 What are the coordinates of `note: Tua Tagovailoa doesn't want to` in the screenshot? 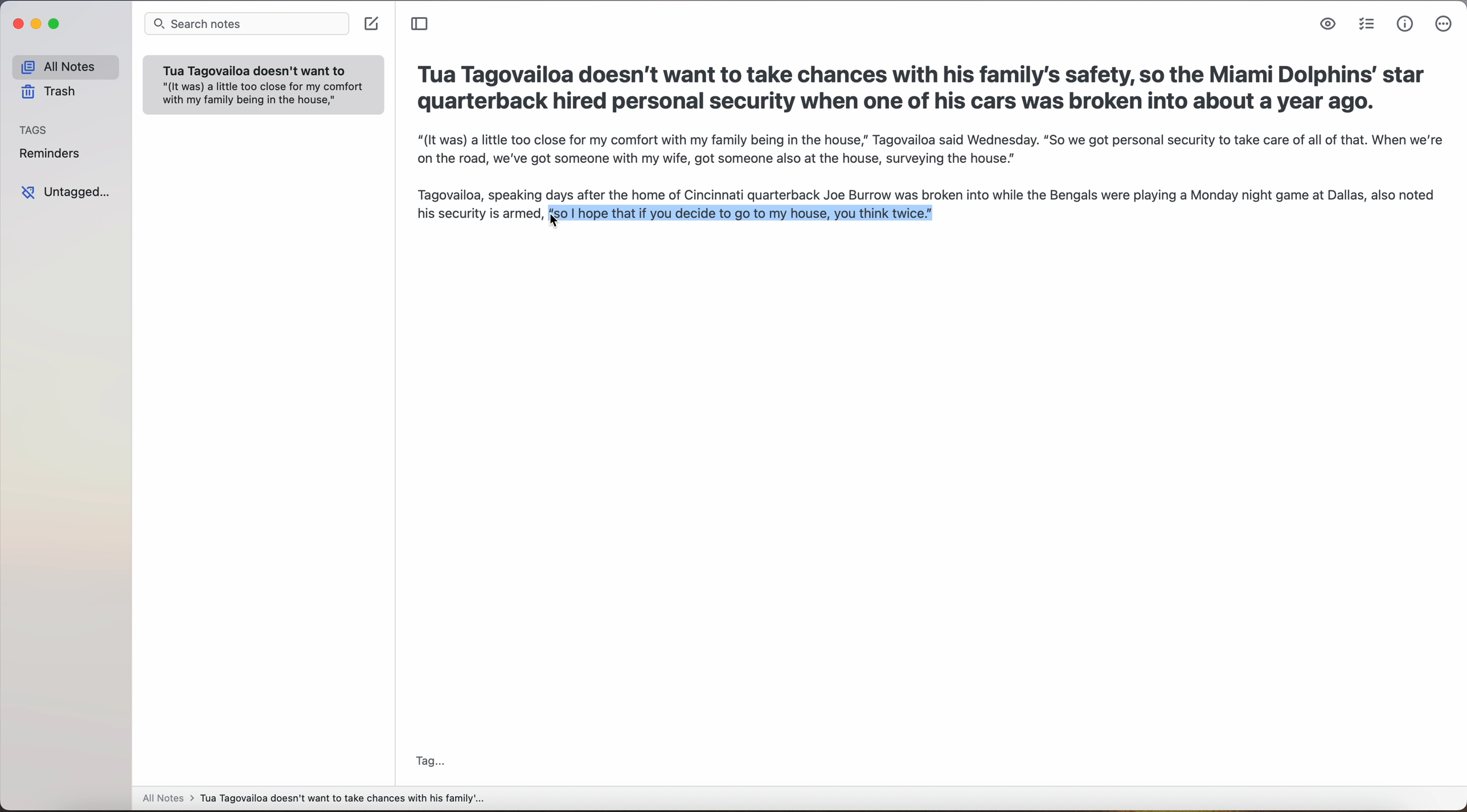 It's located at (263, 85).